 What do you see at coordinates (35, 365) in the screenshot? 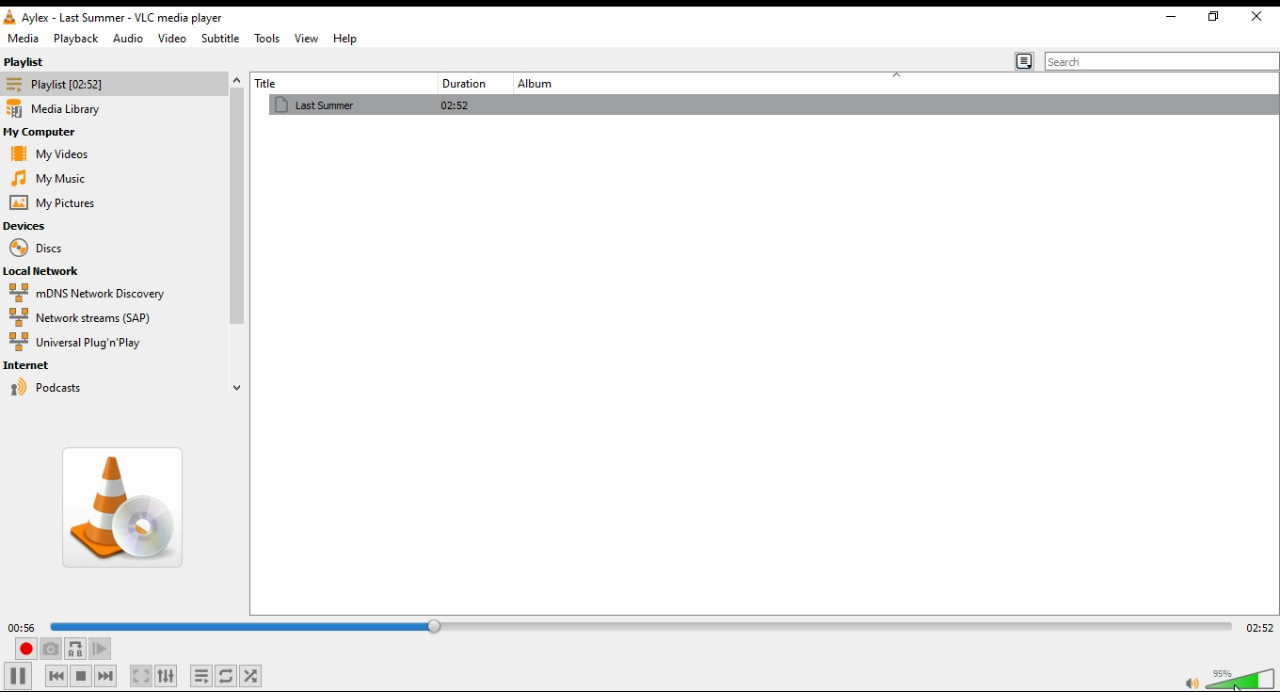
I see `internet` at bounding box center [35, 365].